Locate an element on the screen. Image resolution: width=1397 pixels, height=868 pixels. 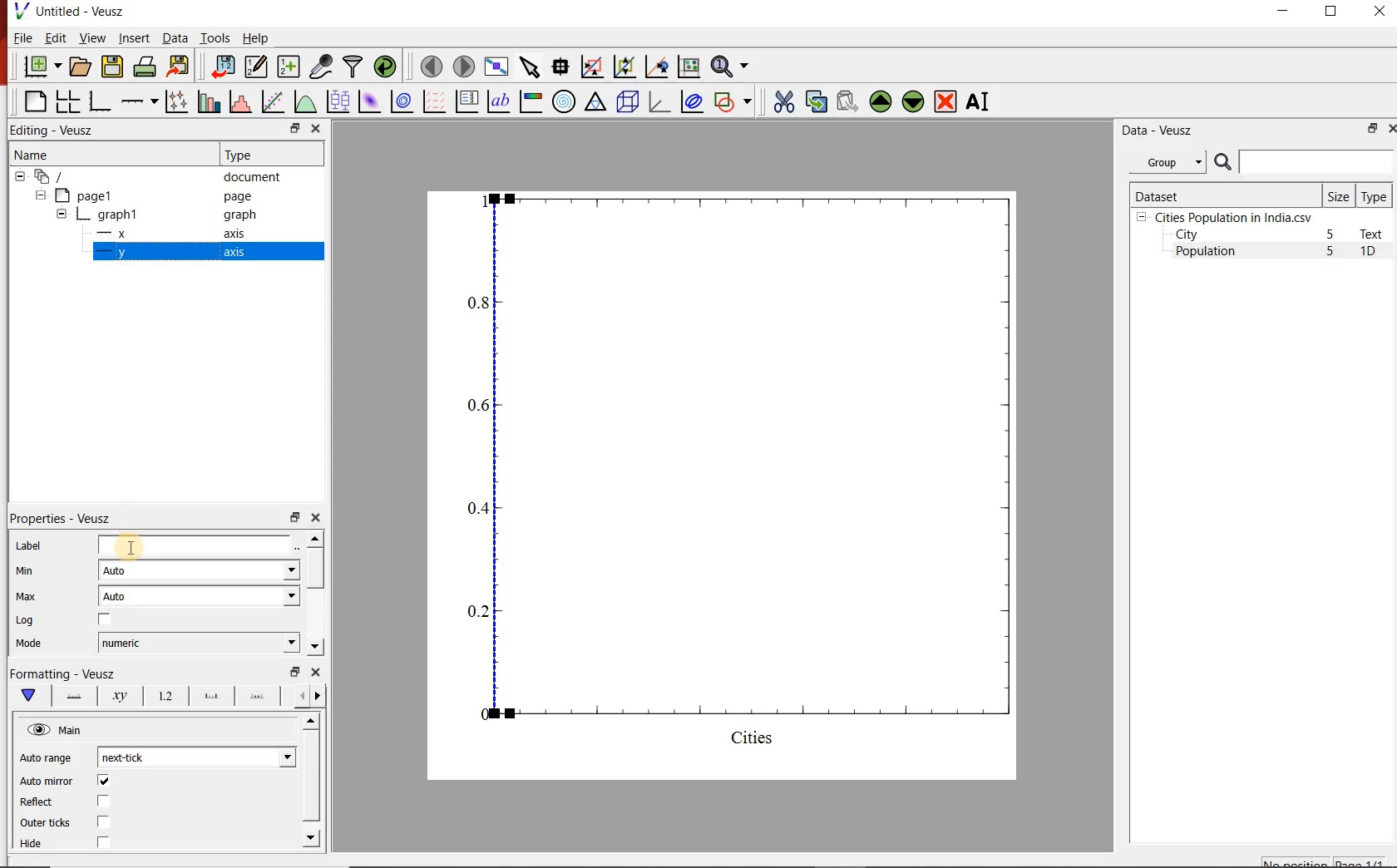
plot bar charts is located at coordinates (206, 101).